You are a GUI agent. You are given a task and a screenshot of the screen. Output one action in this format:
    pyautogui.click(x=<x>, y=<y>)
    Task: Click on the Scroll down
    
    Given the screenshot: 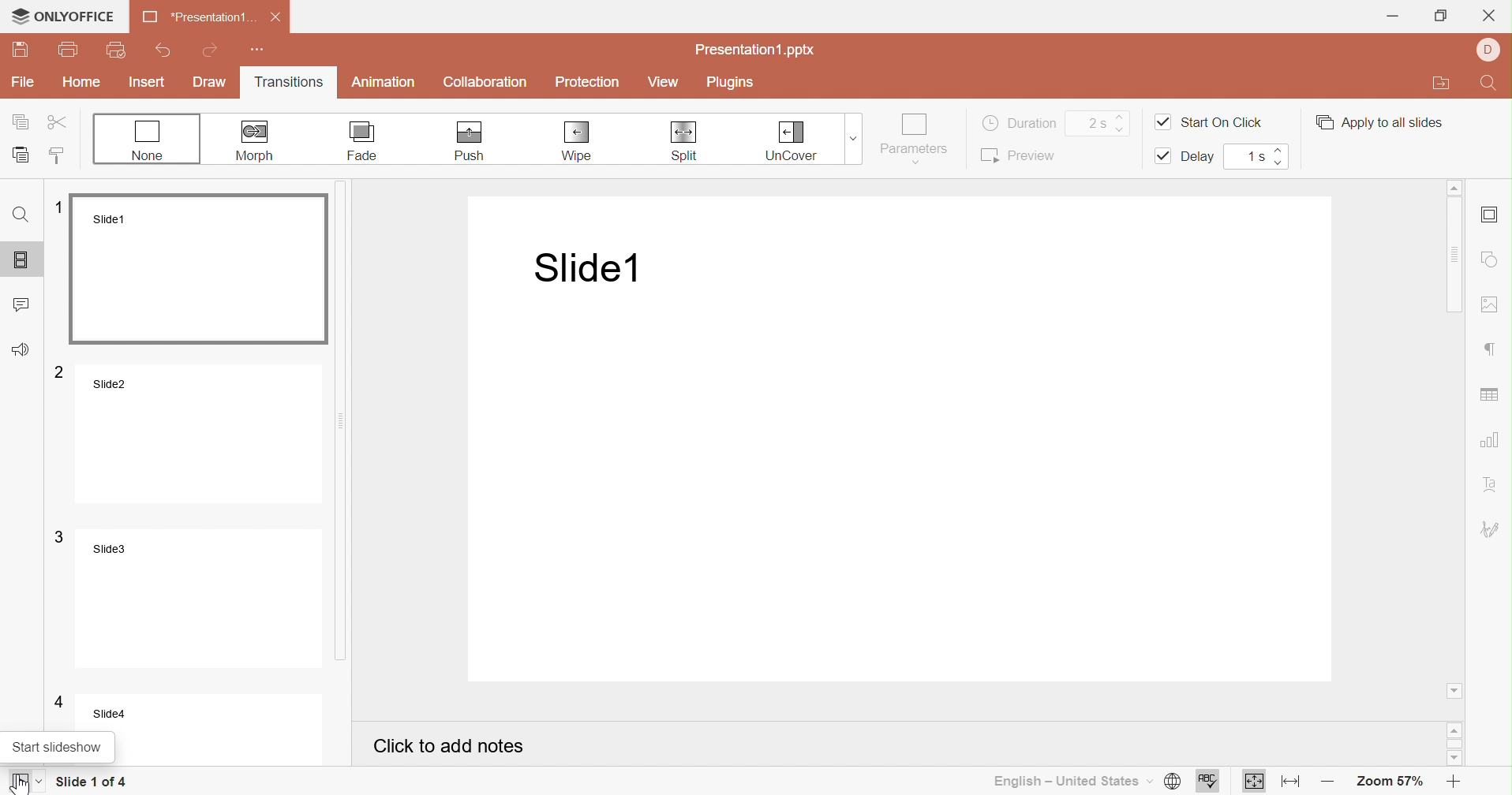 What is the action you would take?
    pyautogui.click(x=1456, y=760)
    